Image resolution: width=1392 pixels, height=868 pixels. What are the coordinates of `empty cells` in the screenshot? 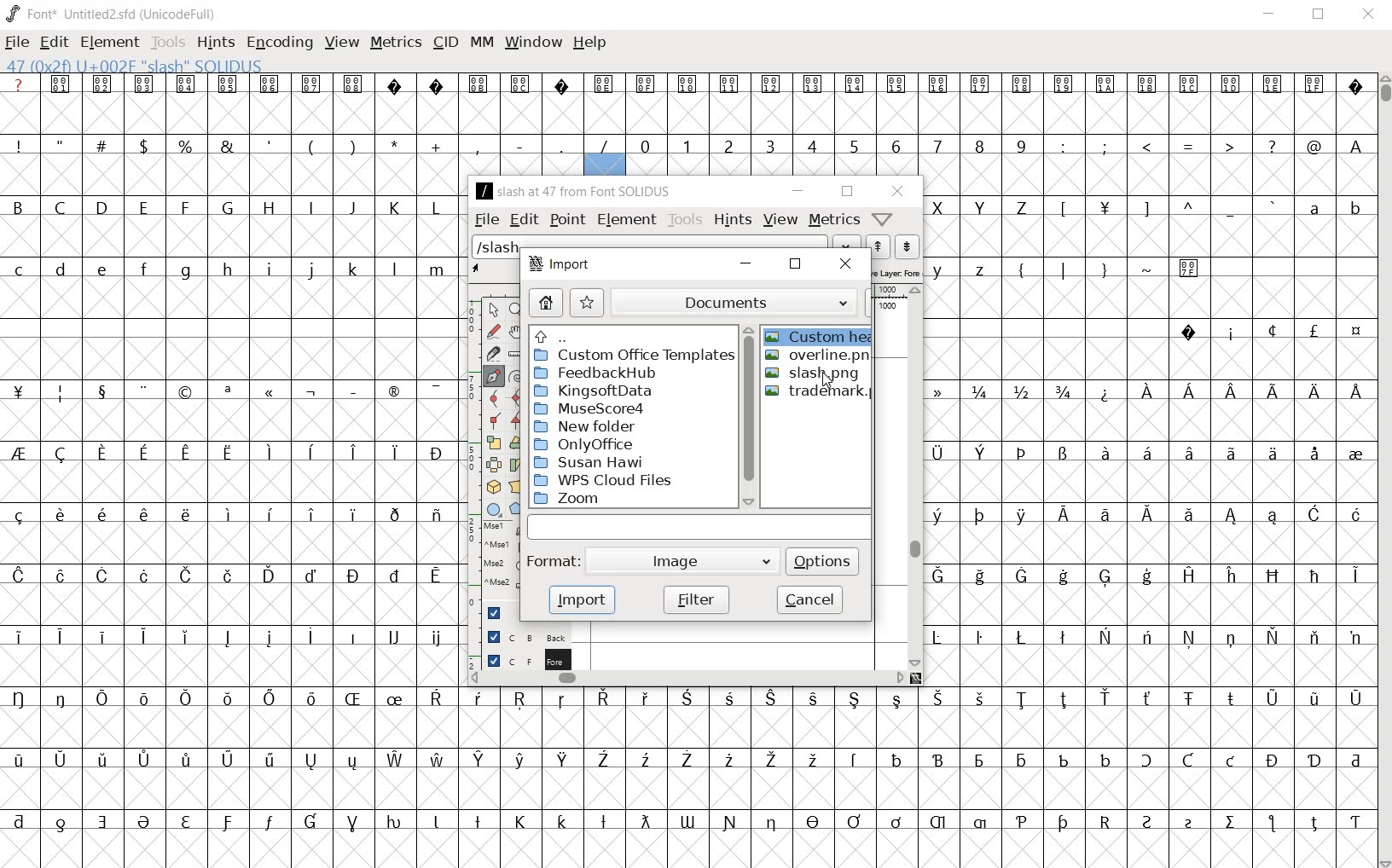 It's located at (1150, 482).